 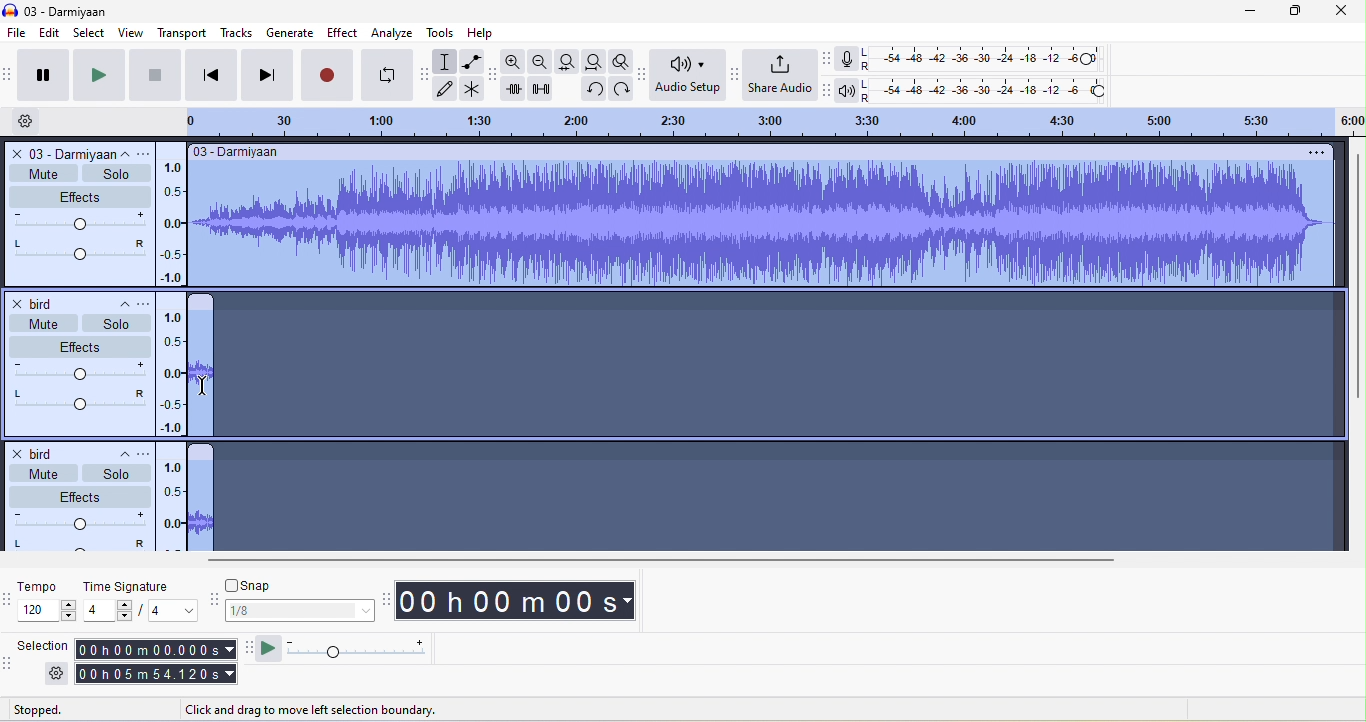 What do you see at coordinates (656, 559) in the screenshot?
I see `horizontal scroll bar` at bounding box center [656, 559].